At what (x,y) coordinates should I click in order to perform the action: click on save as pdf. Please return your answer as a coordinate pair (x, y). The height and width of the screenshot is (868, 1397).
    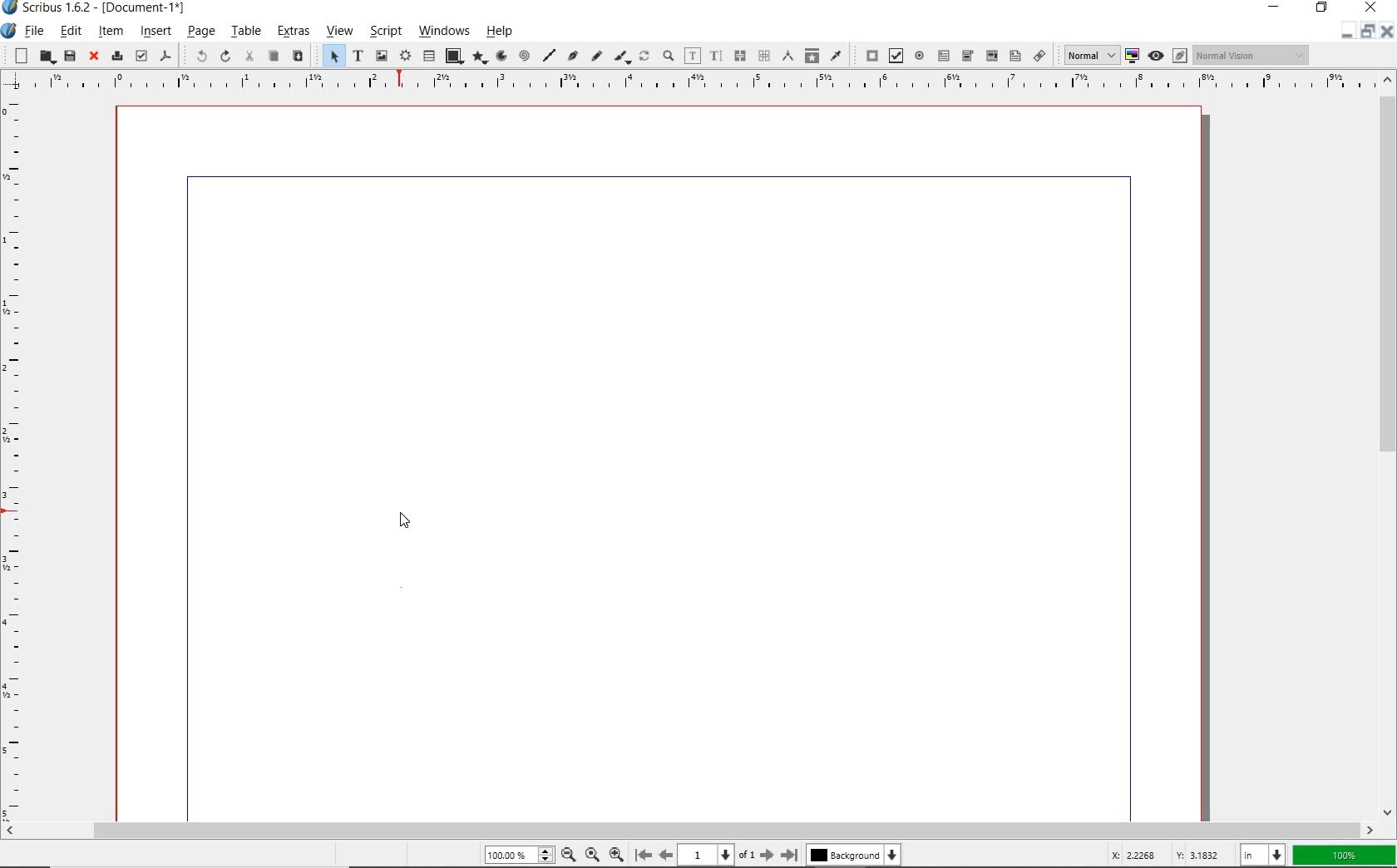
    Looking at the image, I should click on (166, 57).